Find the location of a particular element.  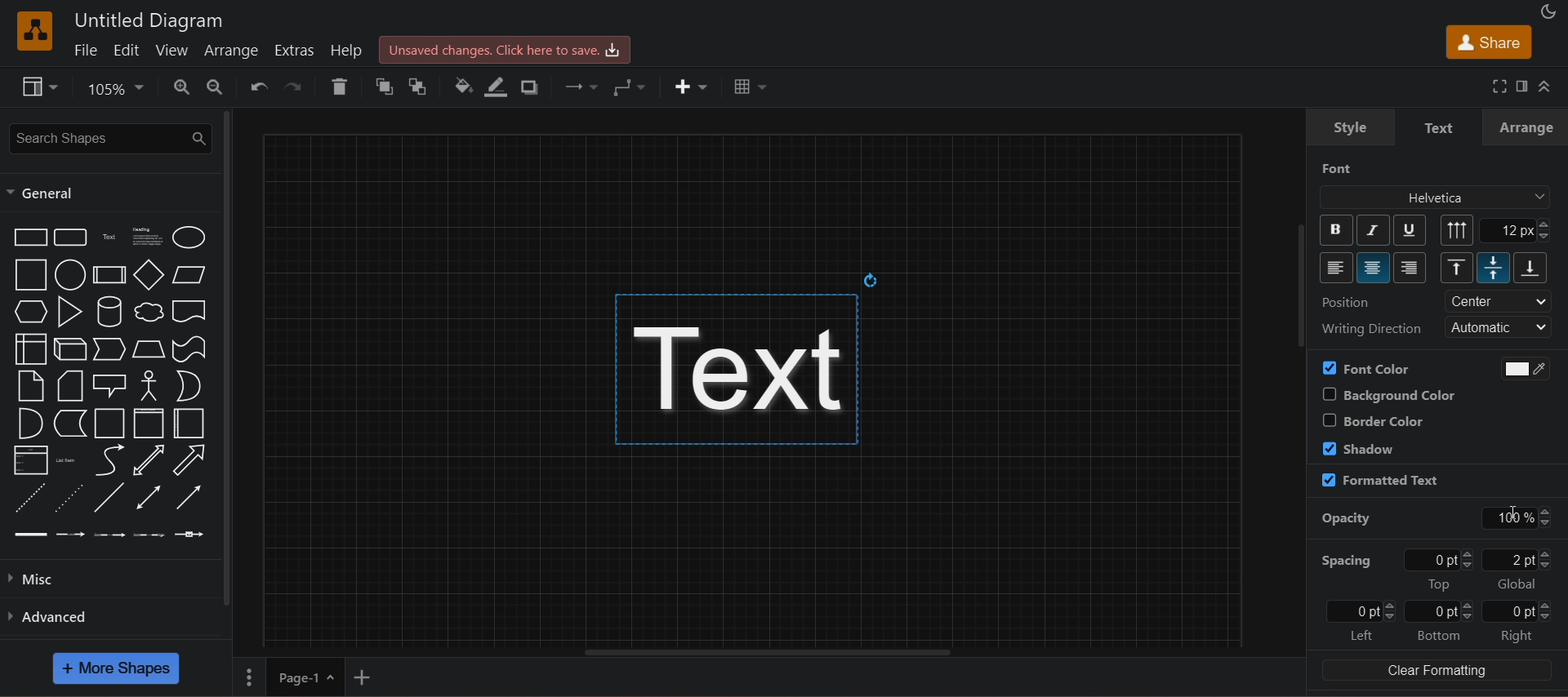

format is located at coordinates (1519, 85).